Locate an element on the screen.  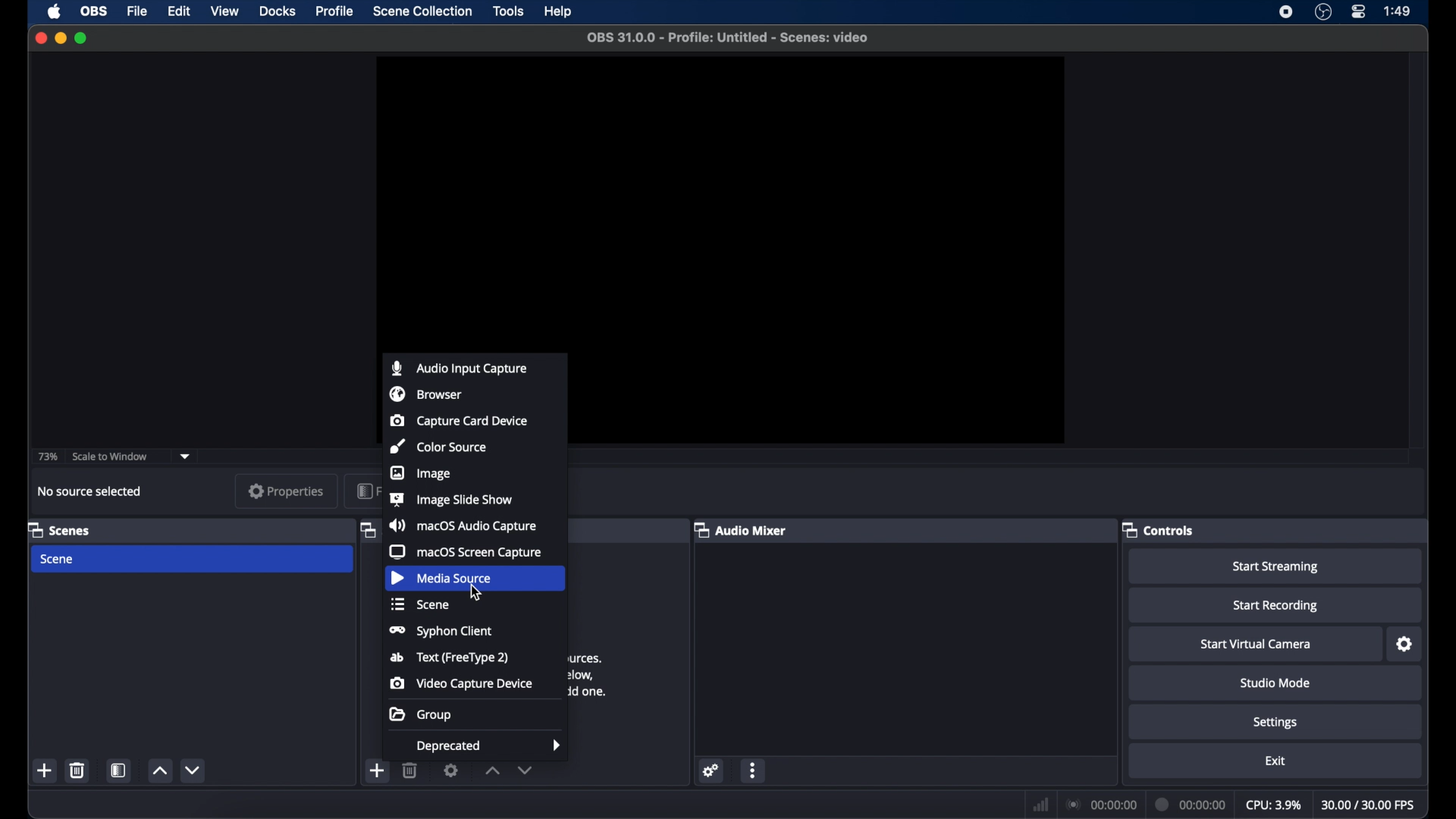
properties is located at coordinates (287, 491).